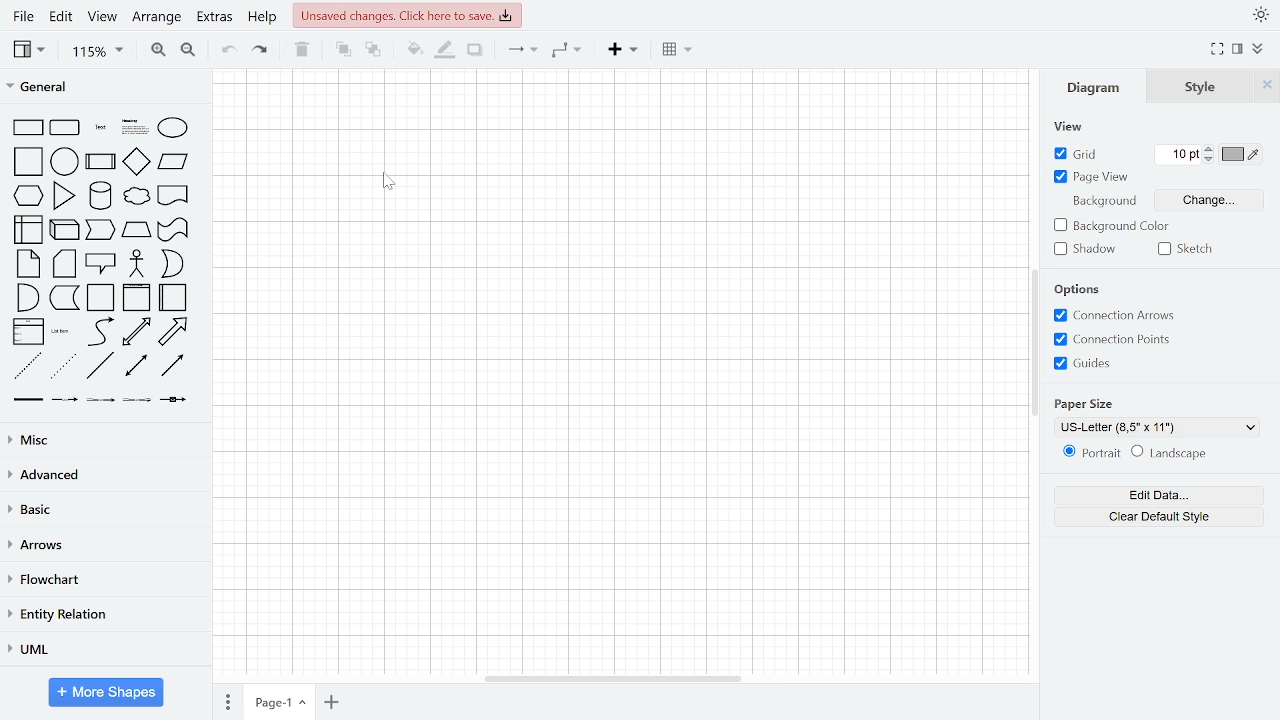  What do you see at coordinates (259, 51) in the screenshot?
I see `redo` at bounding box center [259, 51].